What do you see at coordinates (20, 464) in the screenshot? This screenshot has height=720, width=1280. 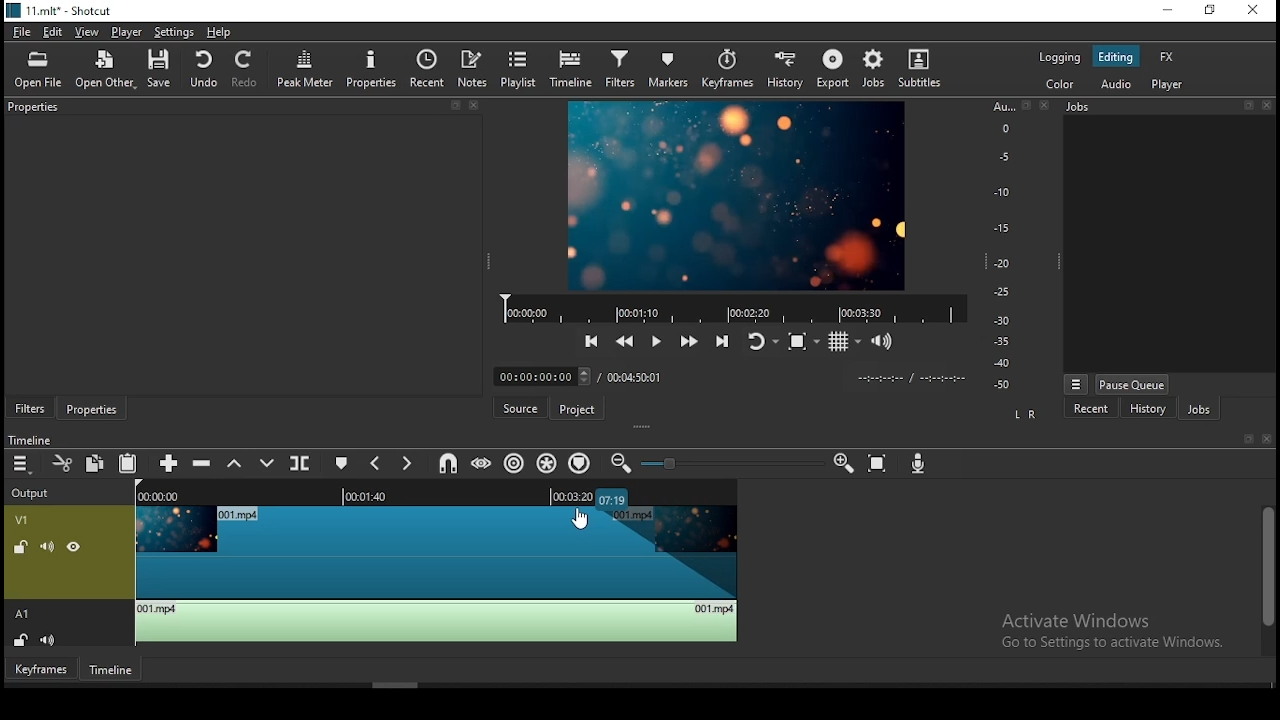 I see `timeline menu` at bounding box center [20, 464].